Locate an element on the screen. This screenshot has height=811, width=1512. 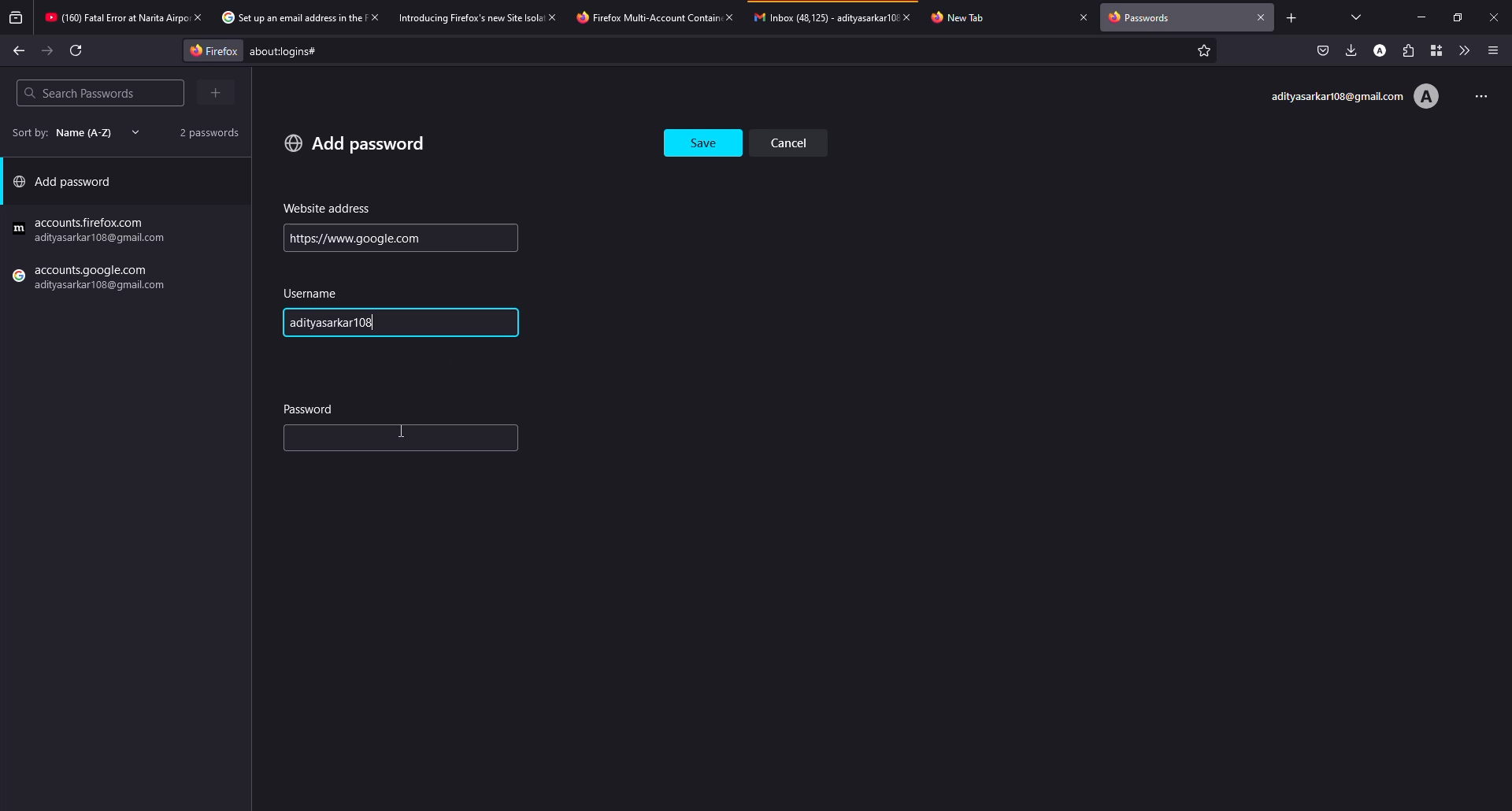
username is located at coordinates (345, 324).